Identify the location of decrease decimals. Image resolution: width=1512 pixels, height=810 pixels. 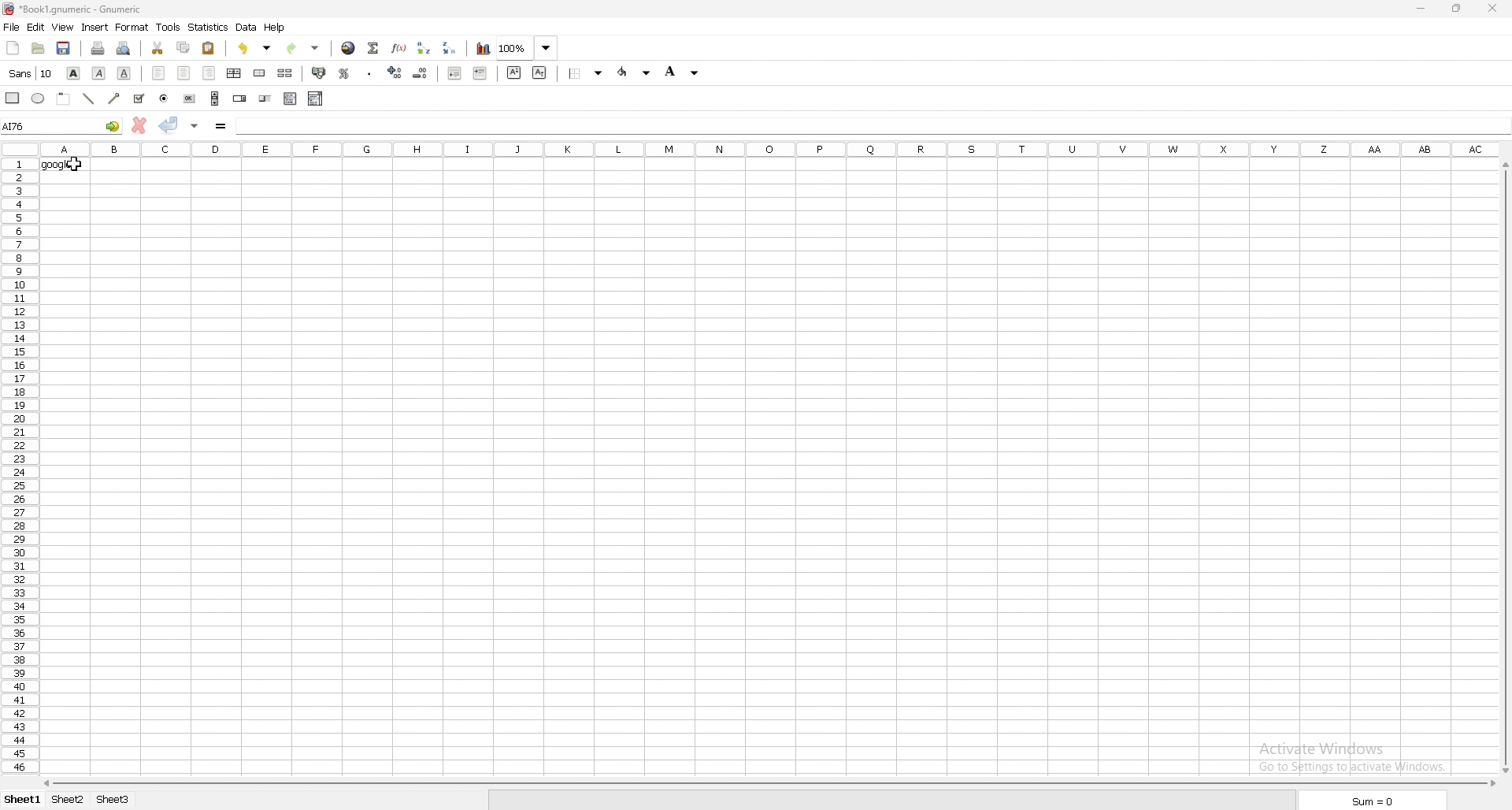
(421, 73).